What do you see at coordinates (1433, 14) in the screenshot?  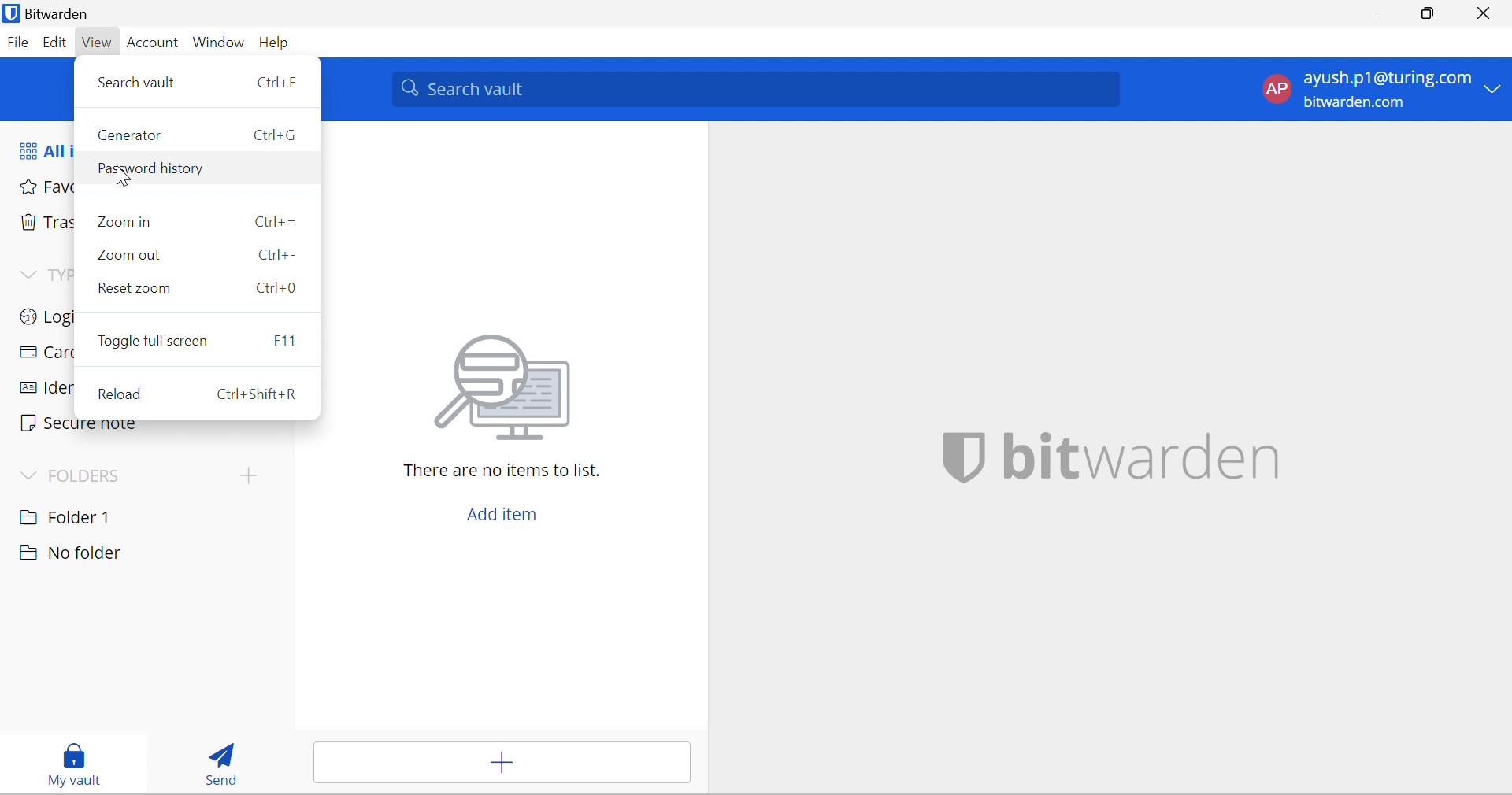 I see `resize` at bounding box center [1433, 14].